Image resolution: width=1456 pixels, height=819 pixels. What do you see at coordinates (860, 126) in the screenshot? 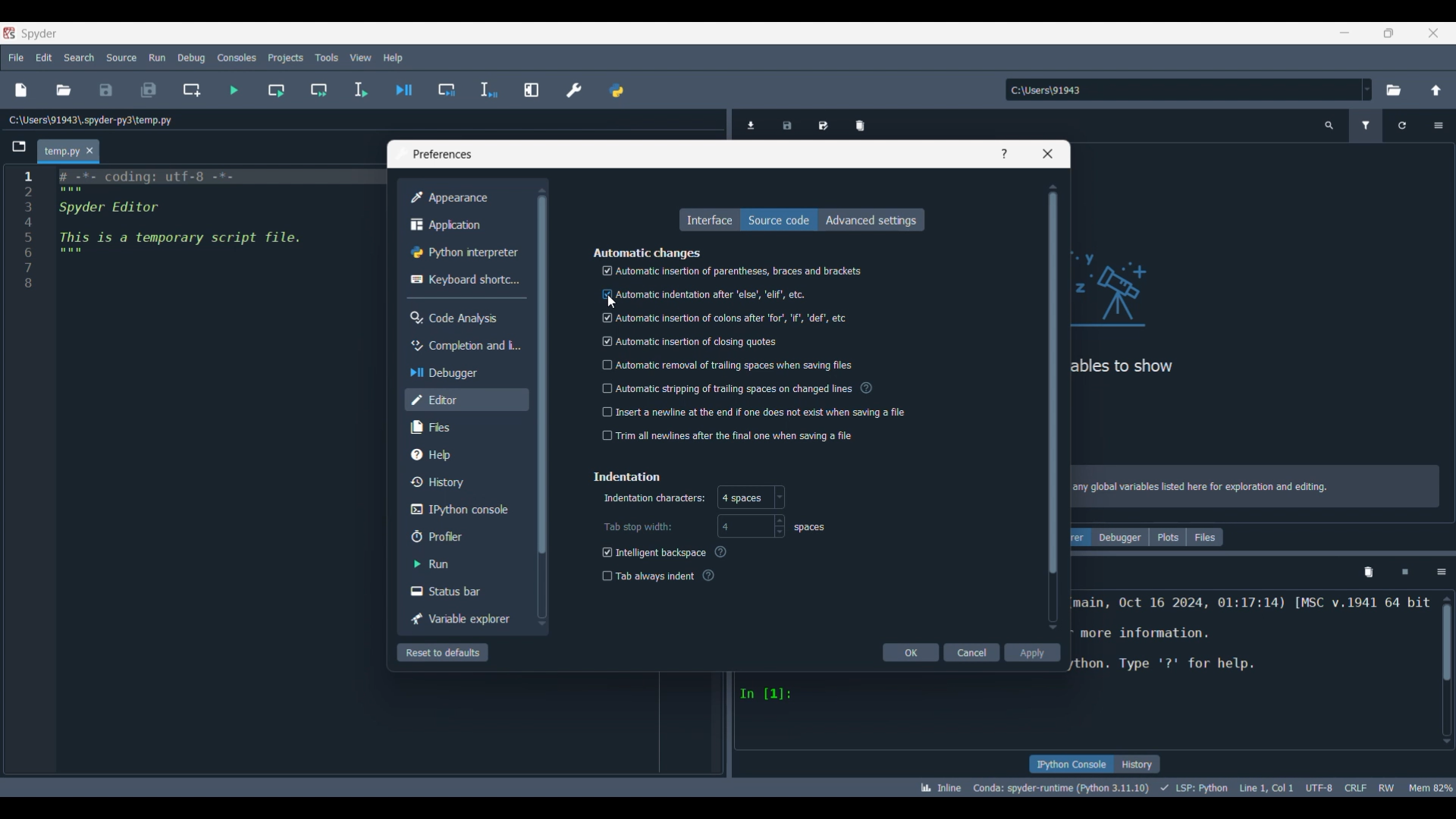
I see `Remove all variables` at bounding box center [860, 126].